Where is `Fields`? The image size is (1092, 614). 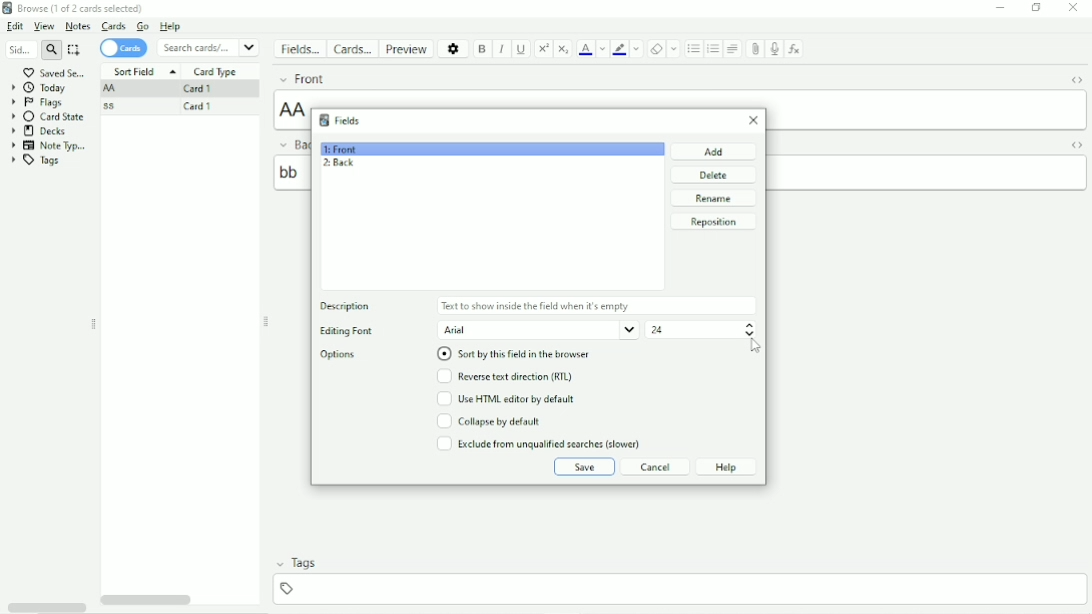 Fields is located at coordinates (299, 51).